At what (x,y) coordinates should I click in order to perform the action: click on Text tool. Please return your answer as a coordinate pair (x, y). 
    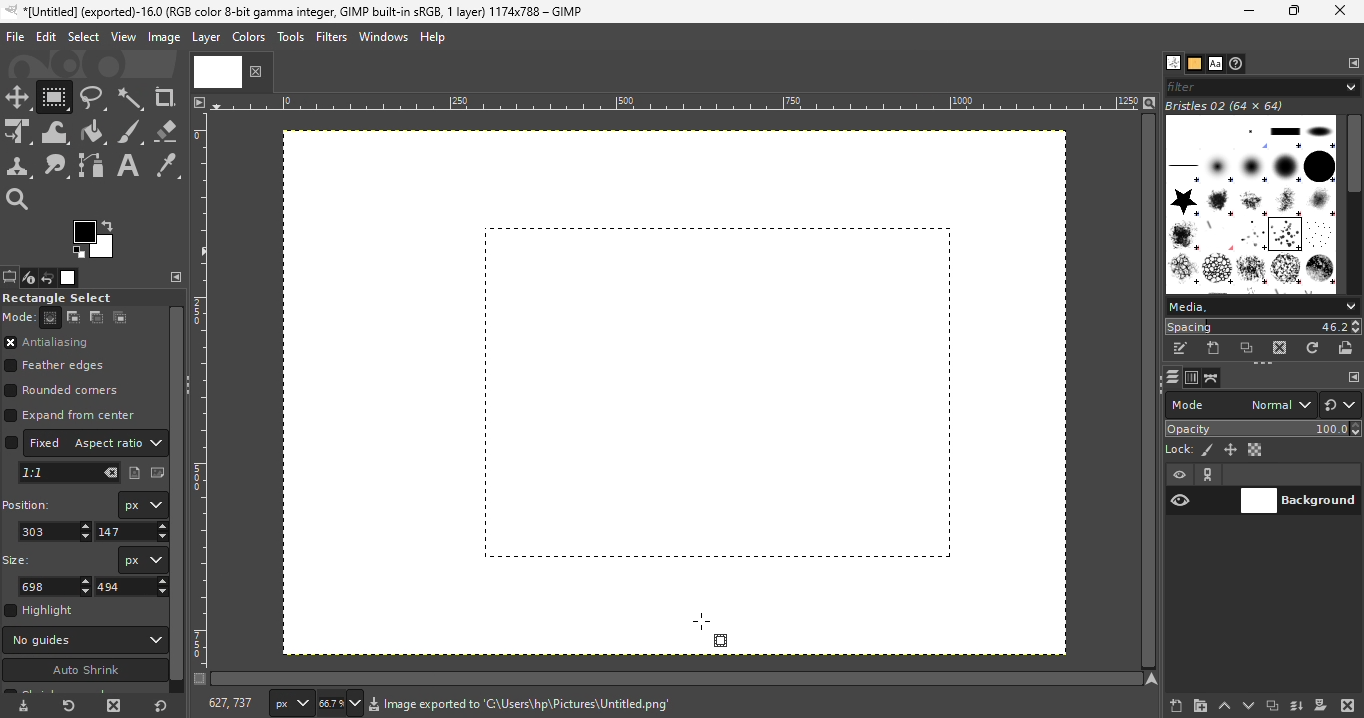
    Looking at the image, I should click on (130, 165).